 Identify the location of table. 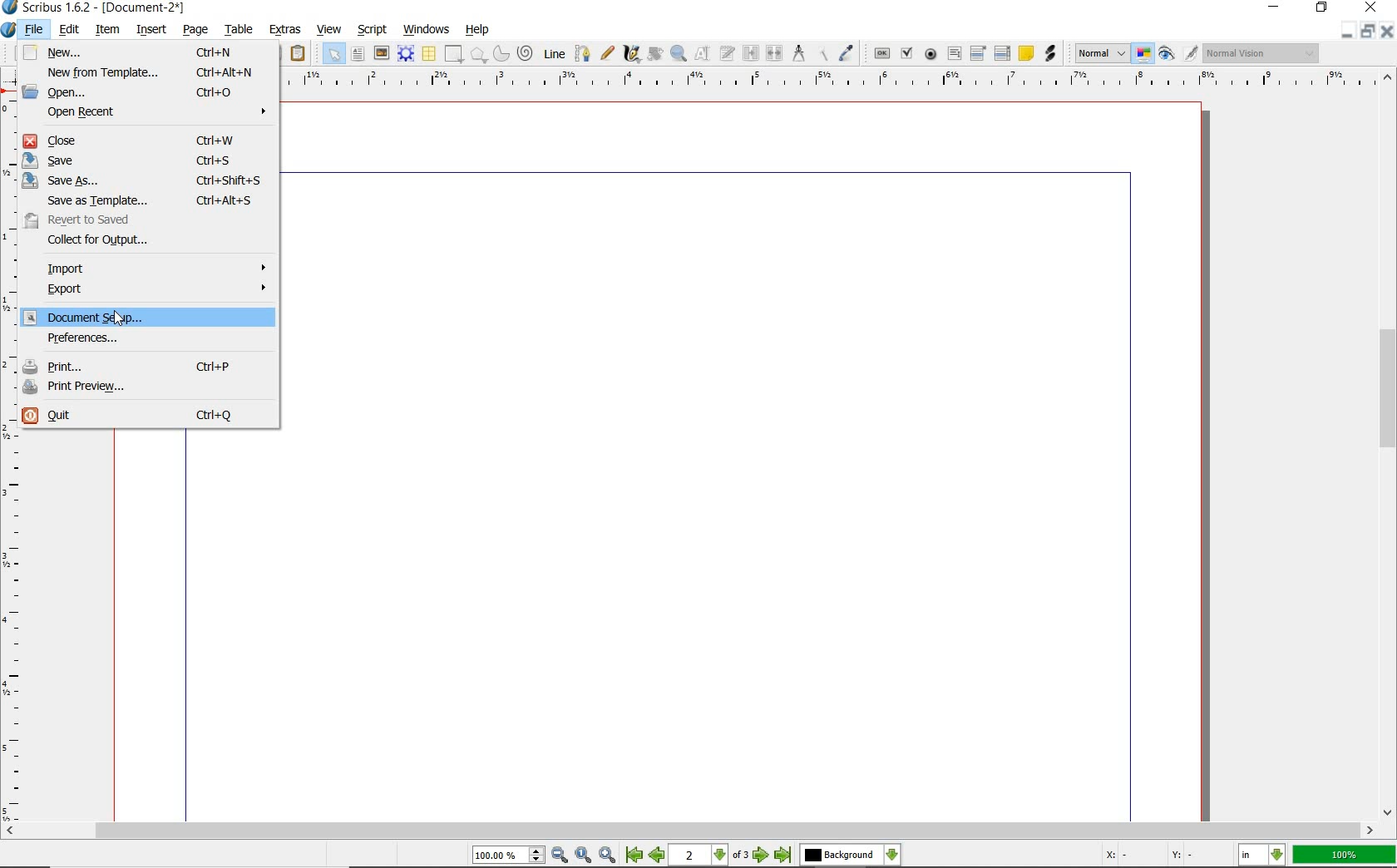
(240, 31).